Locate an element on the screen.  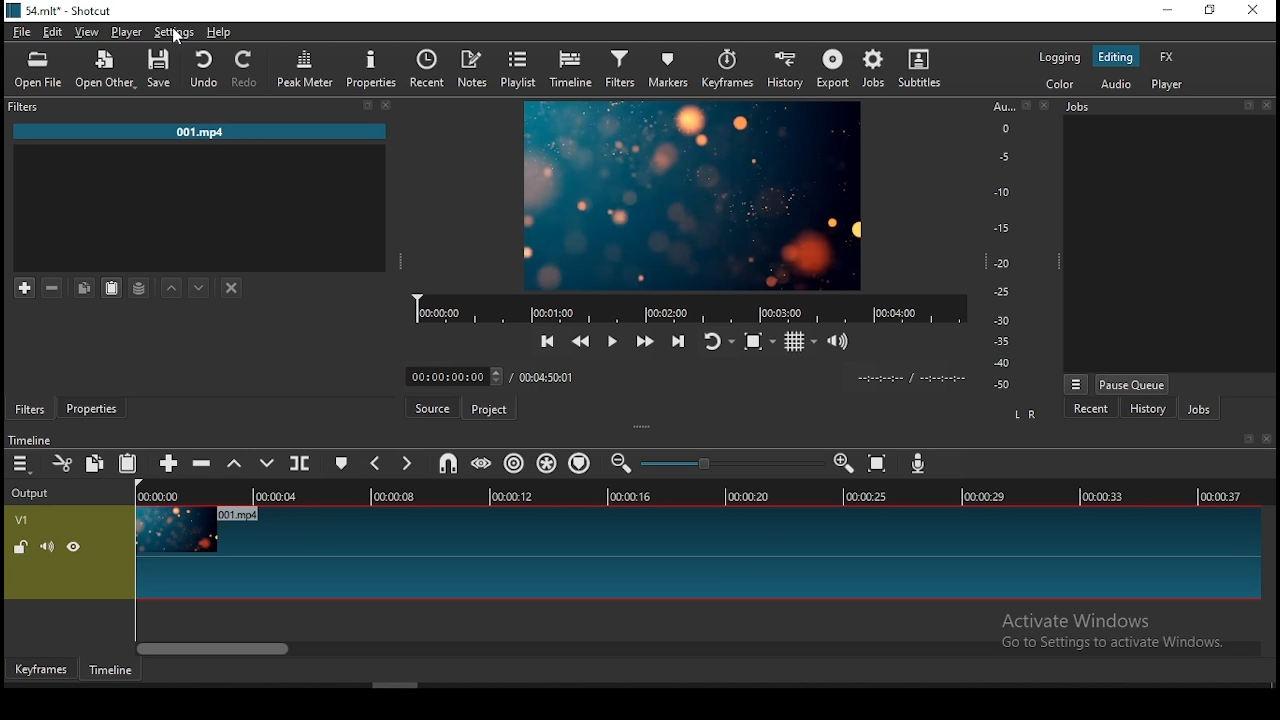
toggle player looping is located at coordinates (717, 340).